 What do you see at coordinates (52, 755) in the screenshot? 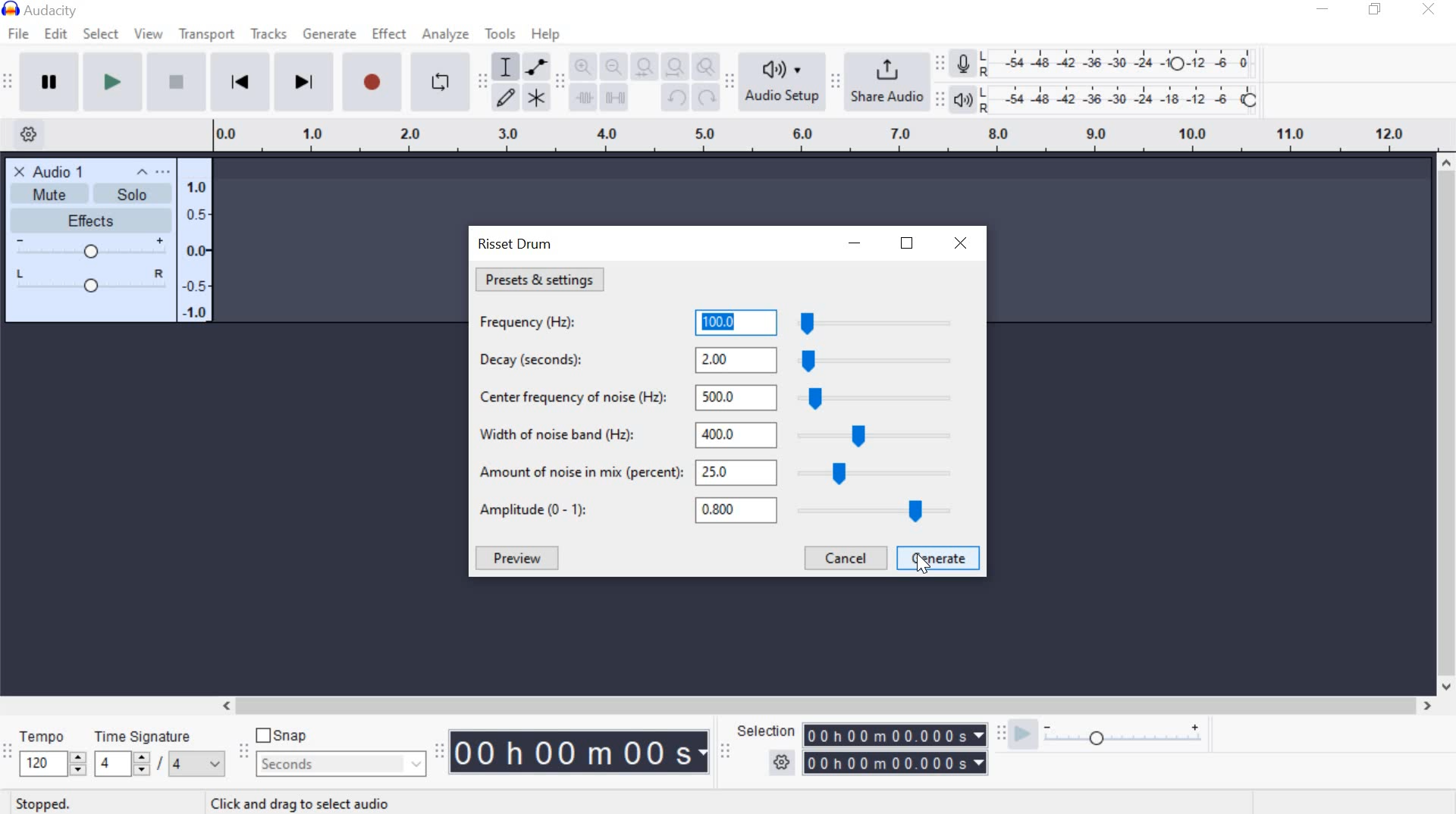
I see `tempo` at bounding box center [52, 755].